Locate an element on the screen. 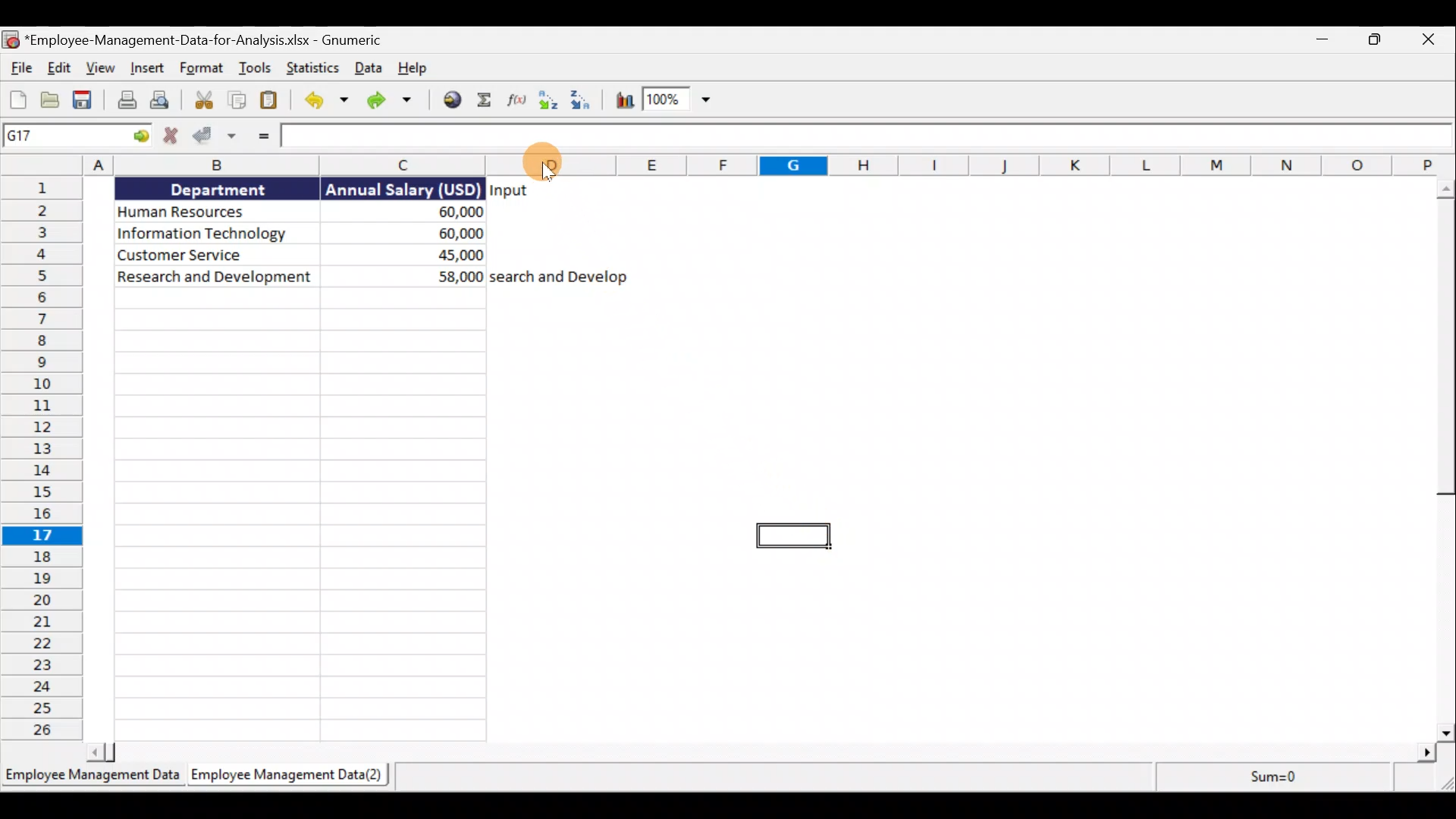 The image size is (1456, 819). Open a file is located at coordinates (54, 99).